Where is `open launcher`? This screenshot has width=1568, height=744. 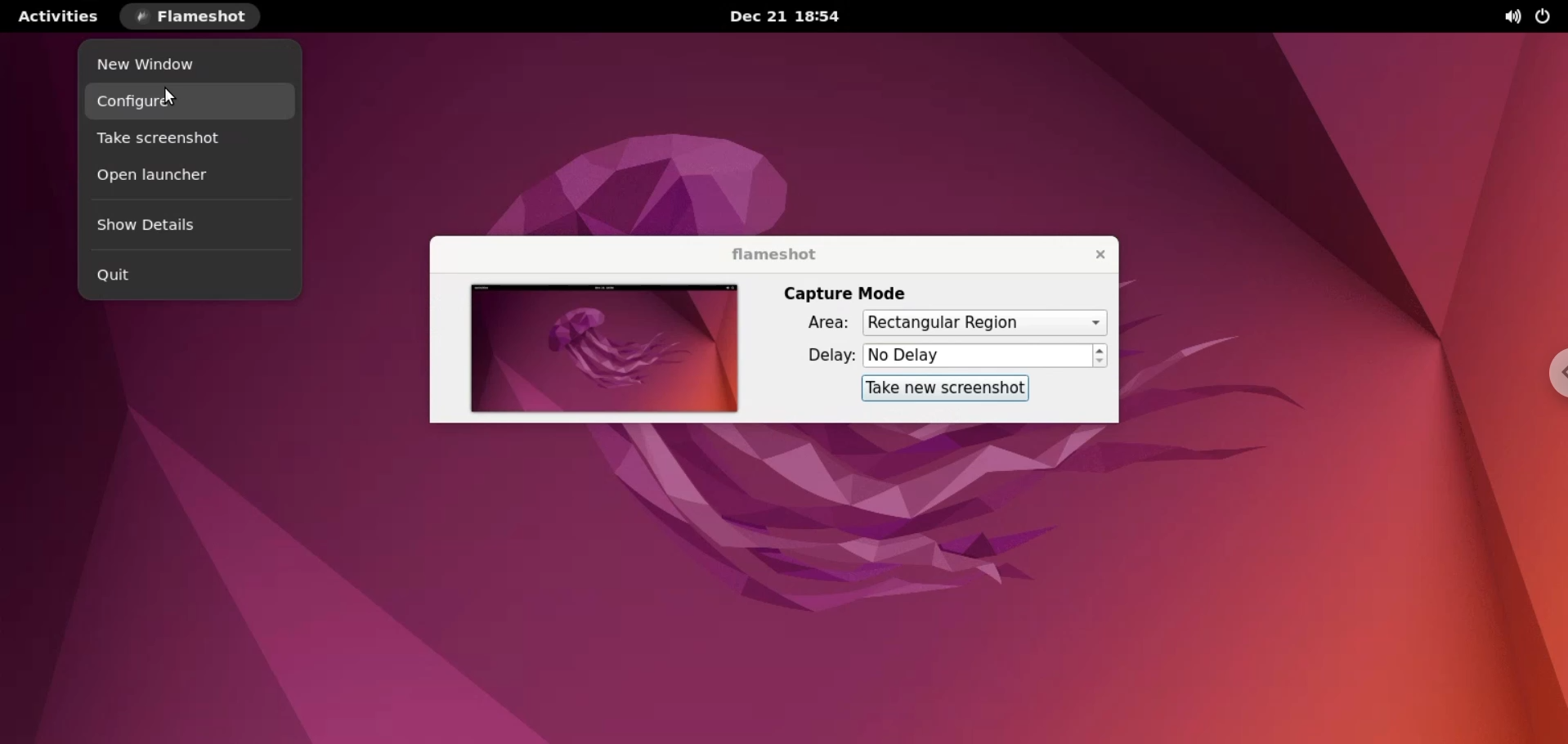
open launcher is located at coordinates (179, 180).